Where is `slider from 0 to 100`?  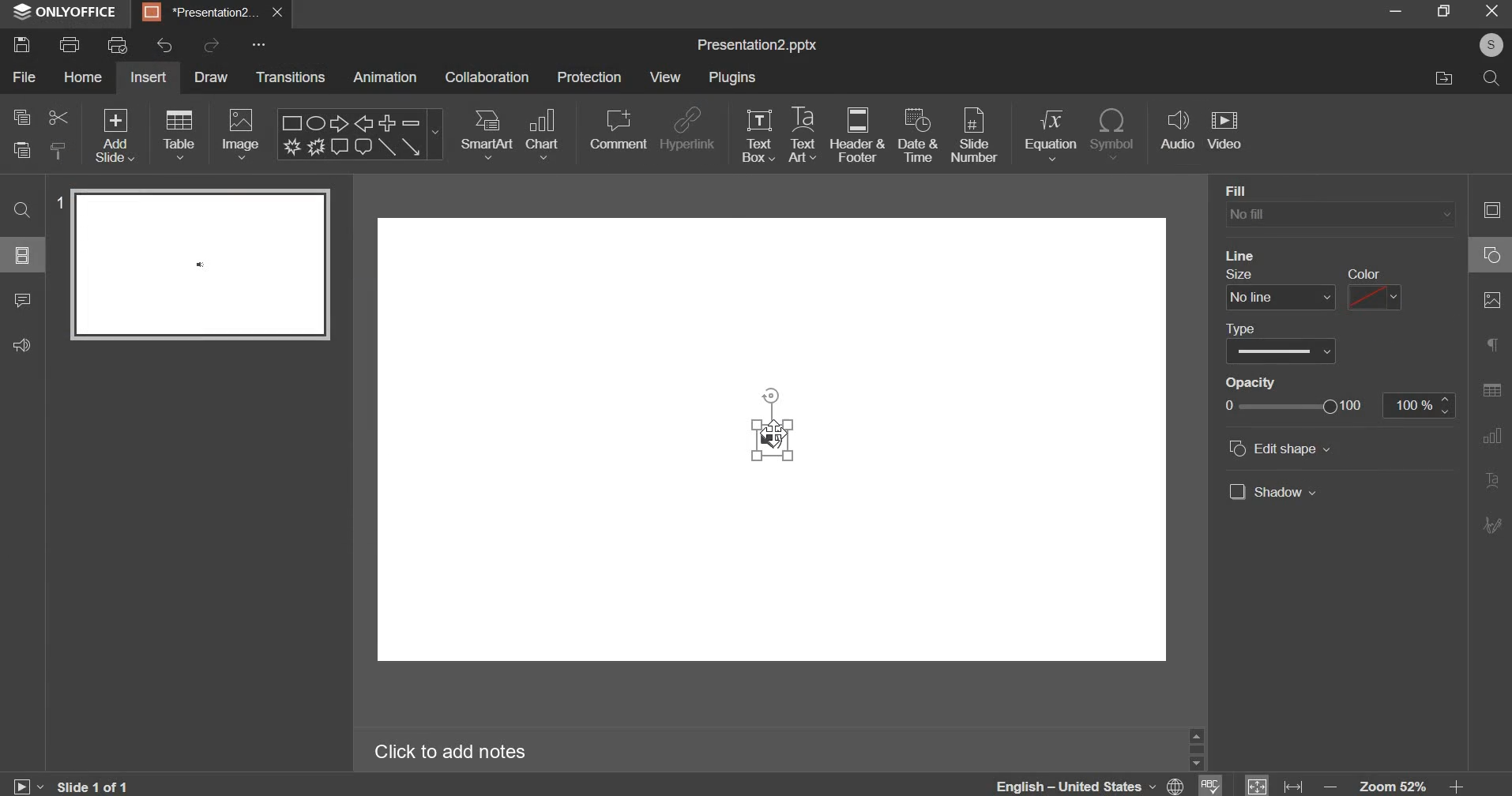 slider from 0 to 100 is located at coordinates (1293, 406).